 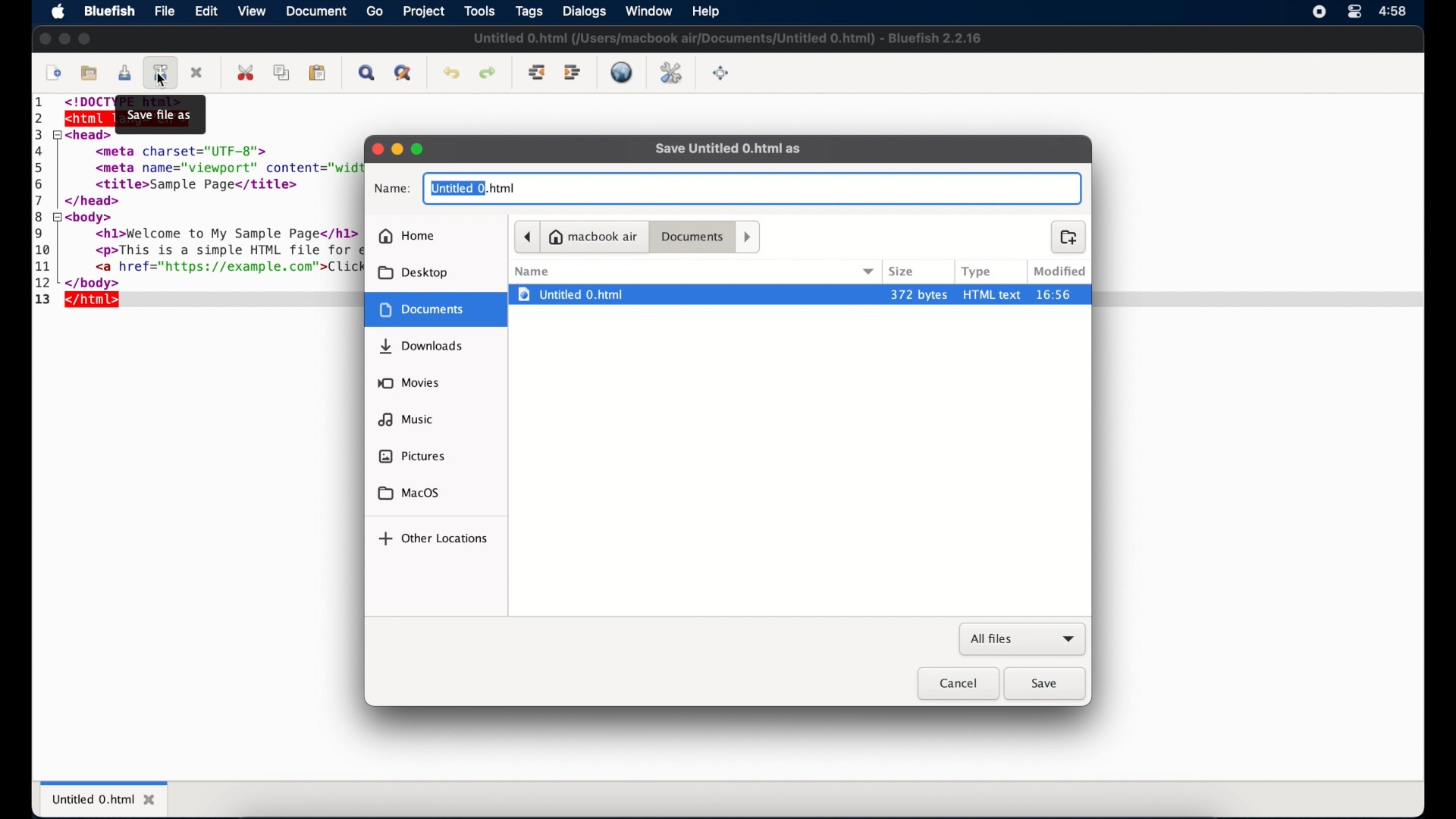 I want to click on untitled file name, so click(x=726, y=38).